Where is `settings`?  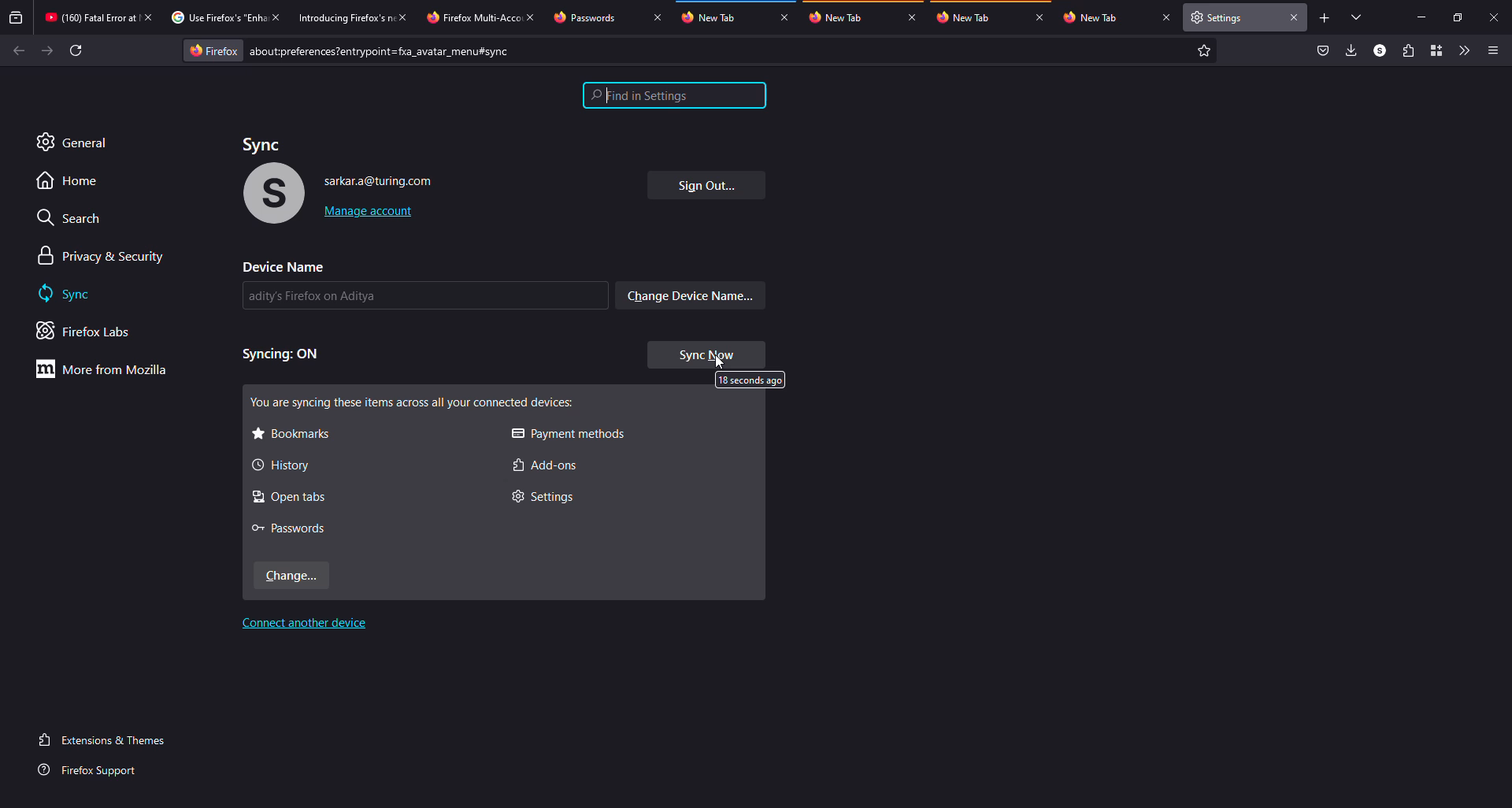
settings is located at coordinates (542, 496).